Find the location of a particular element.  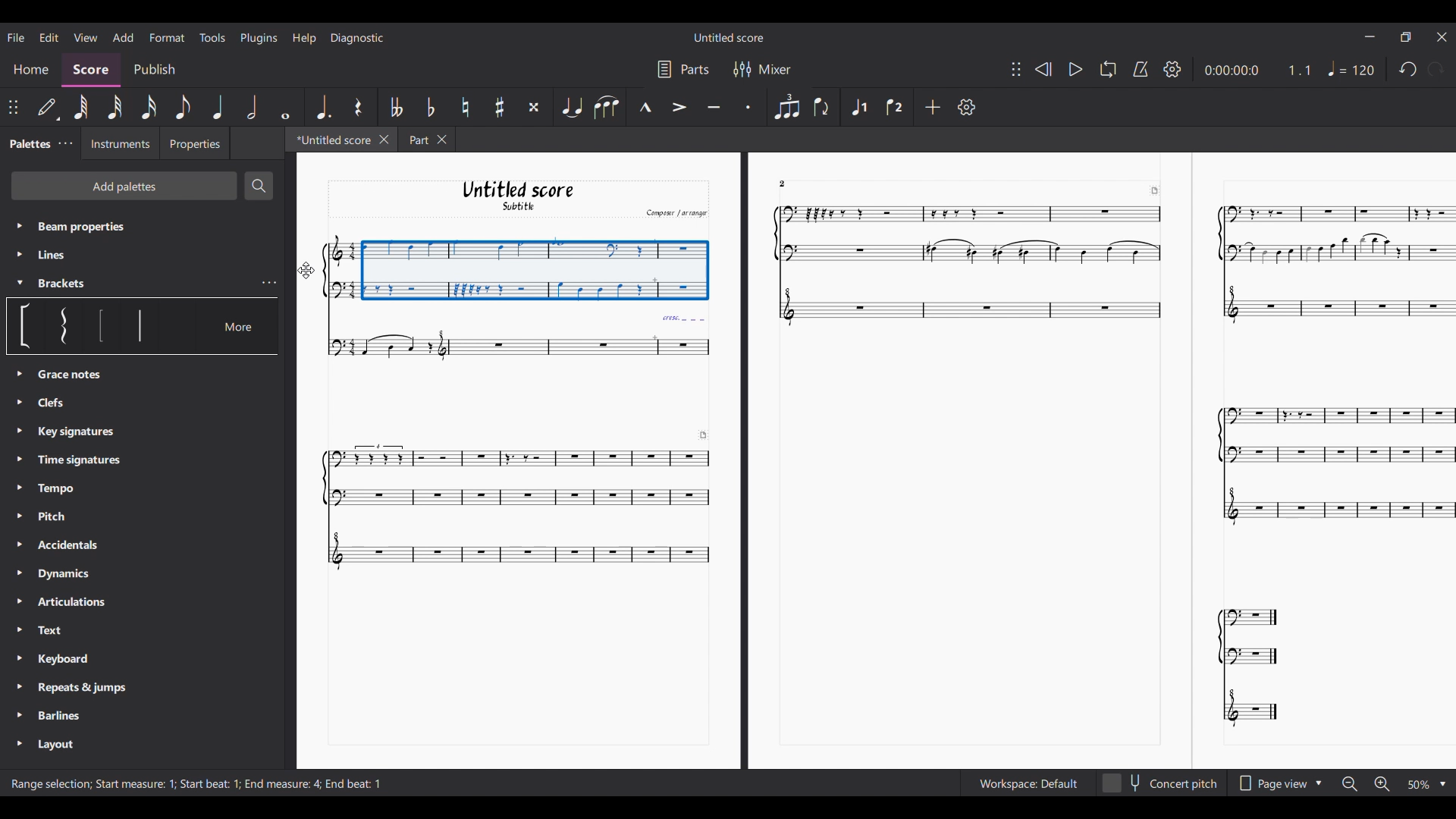

Toggle natural is located at coordinates (465, 107).